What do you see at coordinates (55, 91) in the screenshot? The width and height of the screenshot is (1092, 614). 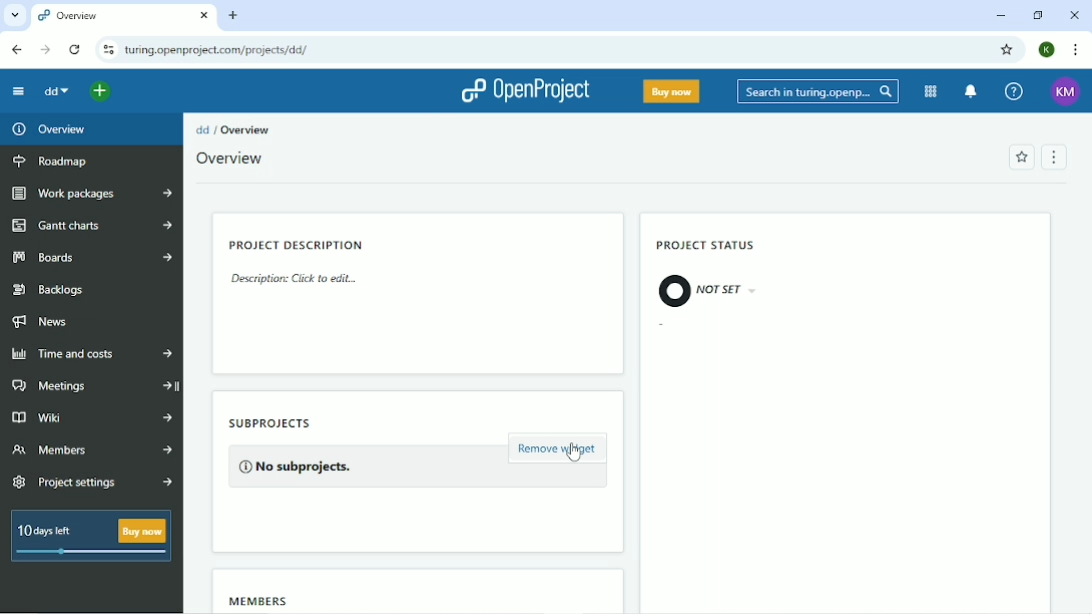 I see `dd` at bounding box center [55, 91].